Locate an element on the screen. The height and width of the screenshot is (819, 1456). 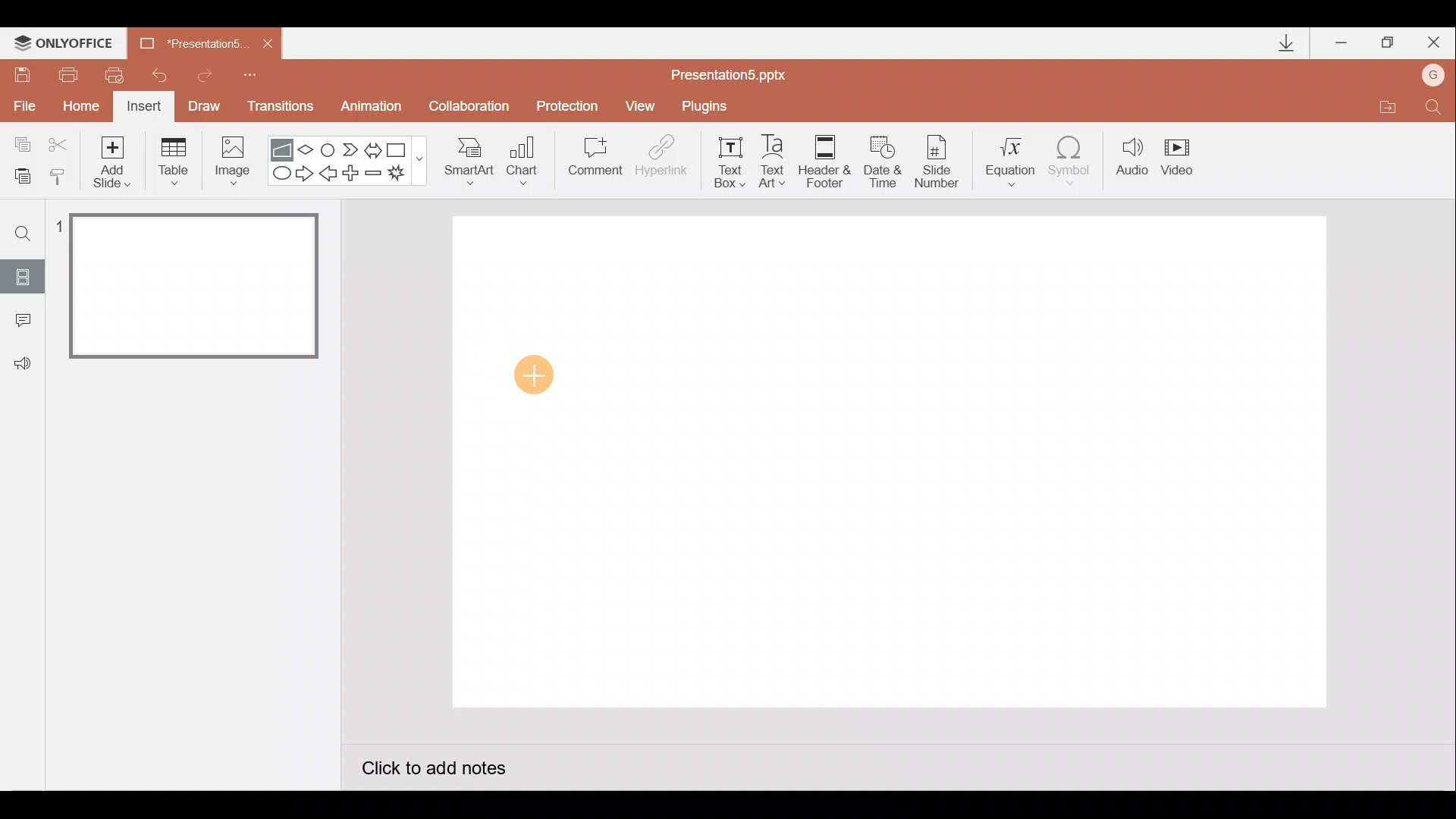
Equation is located at coordinates (1013, 159).